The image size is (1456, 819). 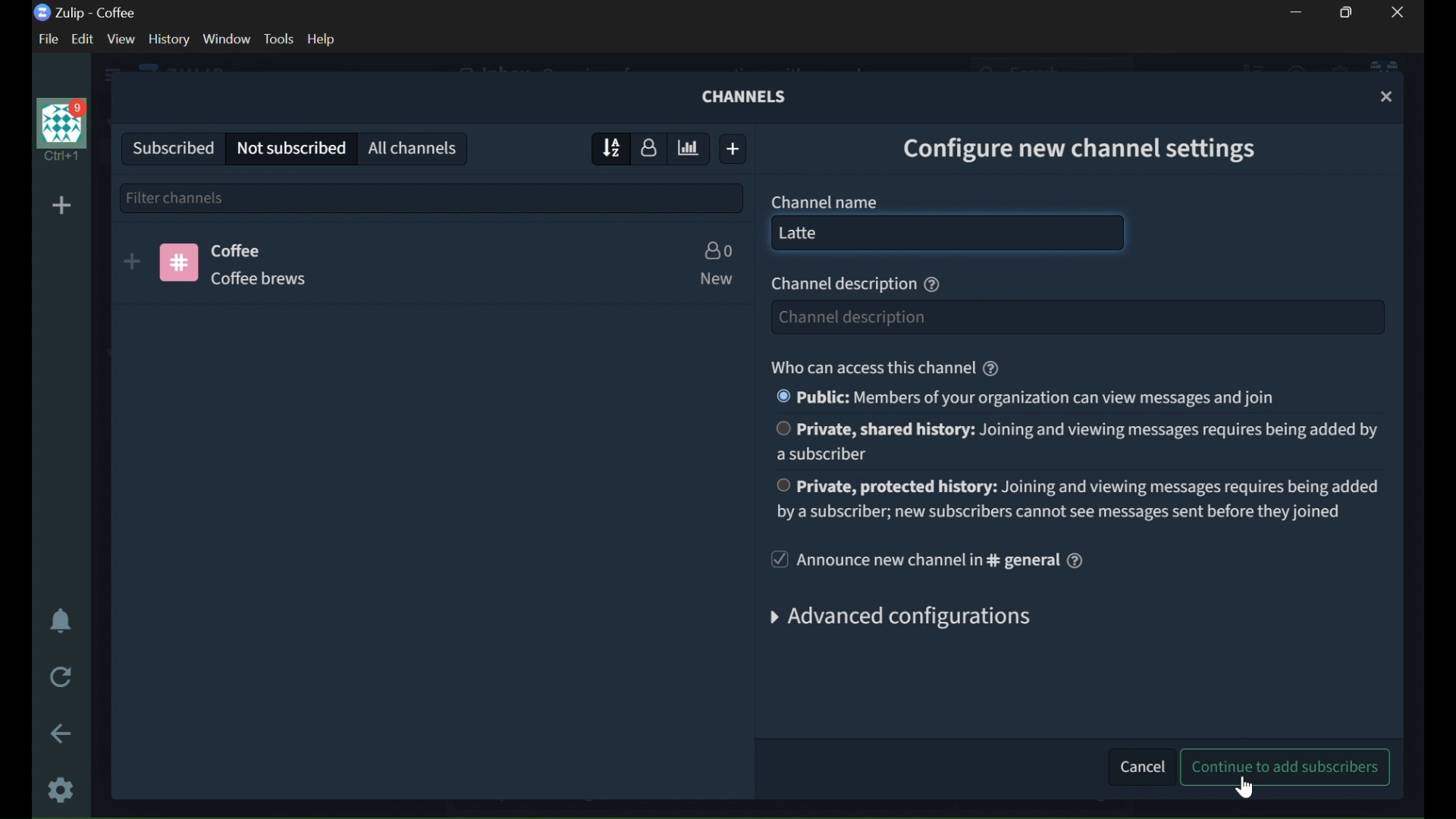 What do you see at coordinates (1024, 397) in the screenshot?
I see `public: Members of your organisation can view messages and join` at bounding box center [1024, 397].